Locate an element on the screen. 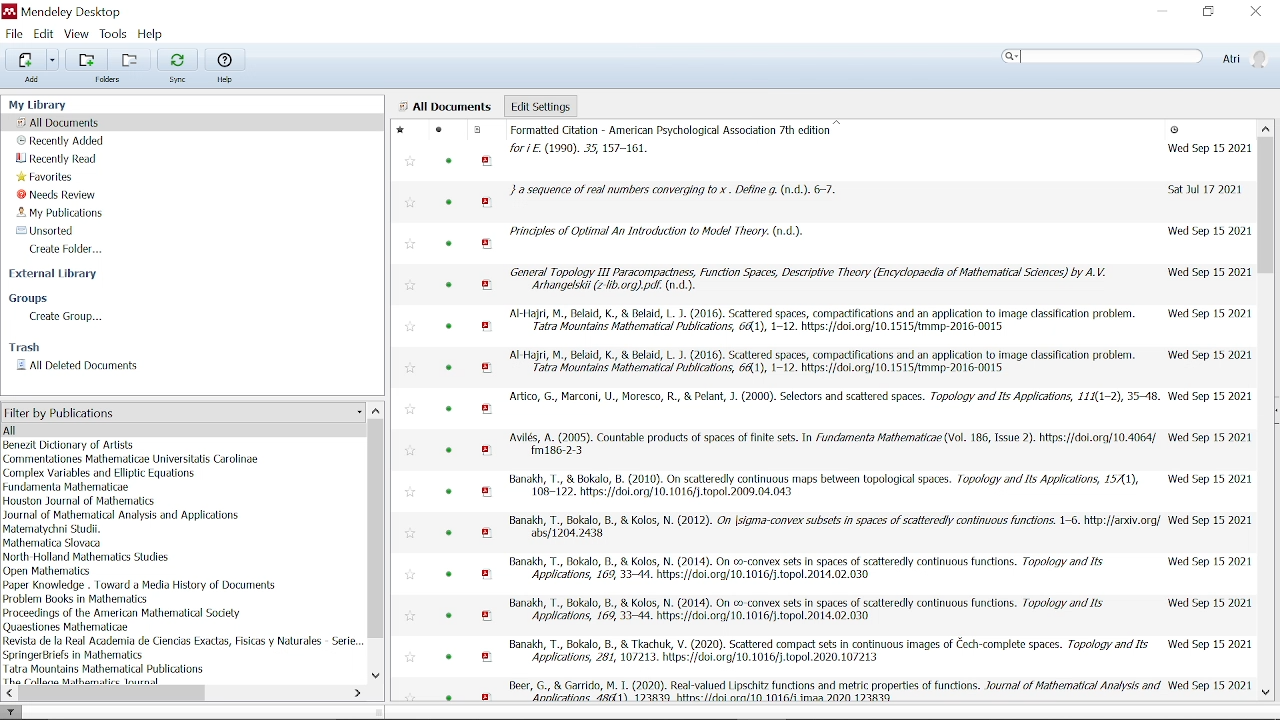 This screenshot has width=1280, height=720. status is located at coordinates (449, 492).